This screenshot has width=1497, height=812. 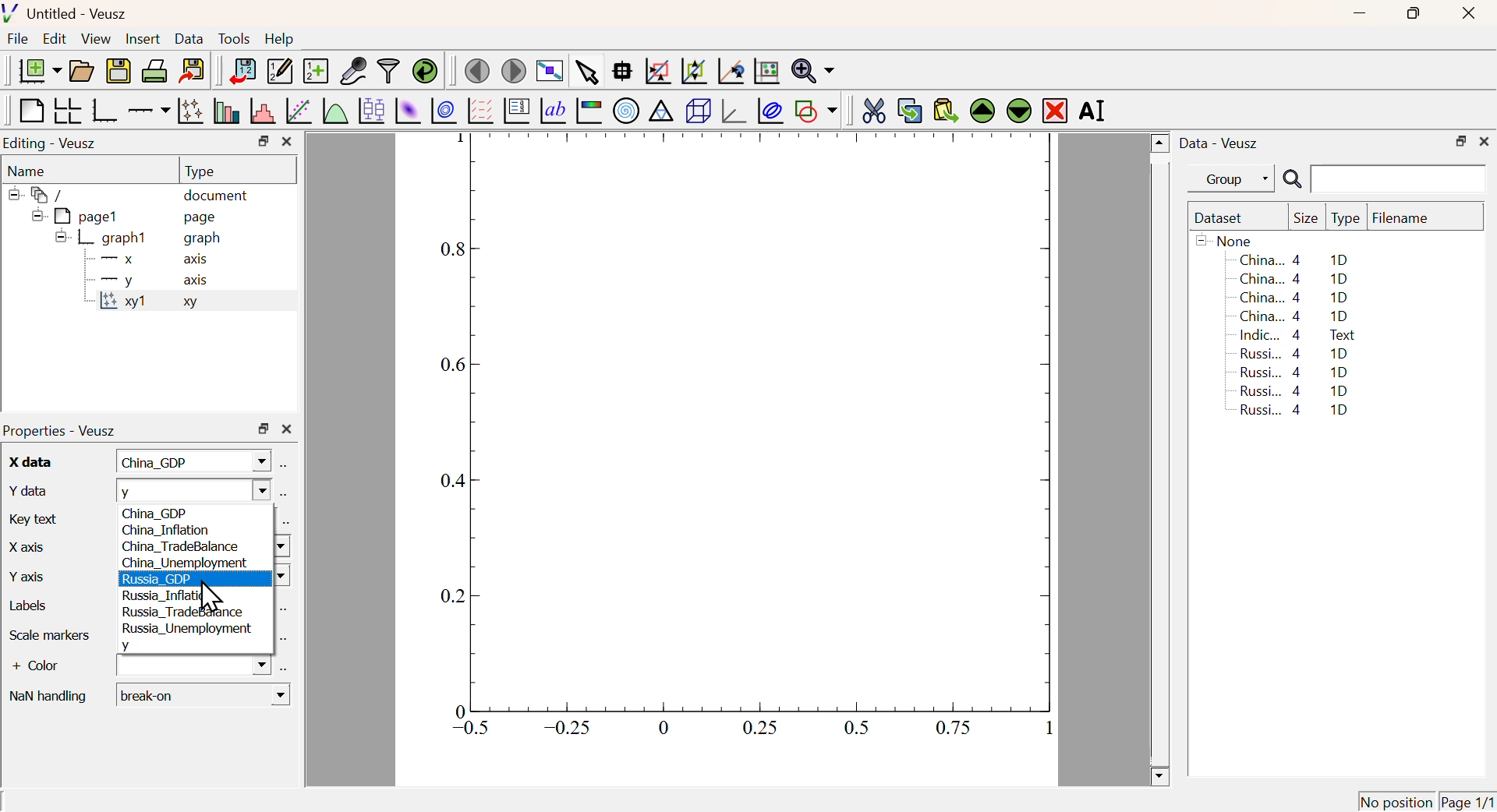 What do you see at coordinates (1400, 178) in the screenshot?
I see `Search Input` at bounding box center [1400, 178].